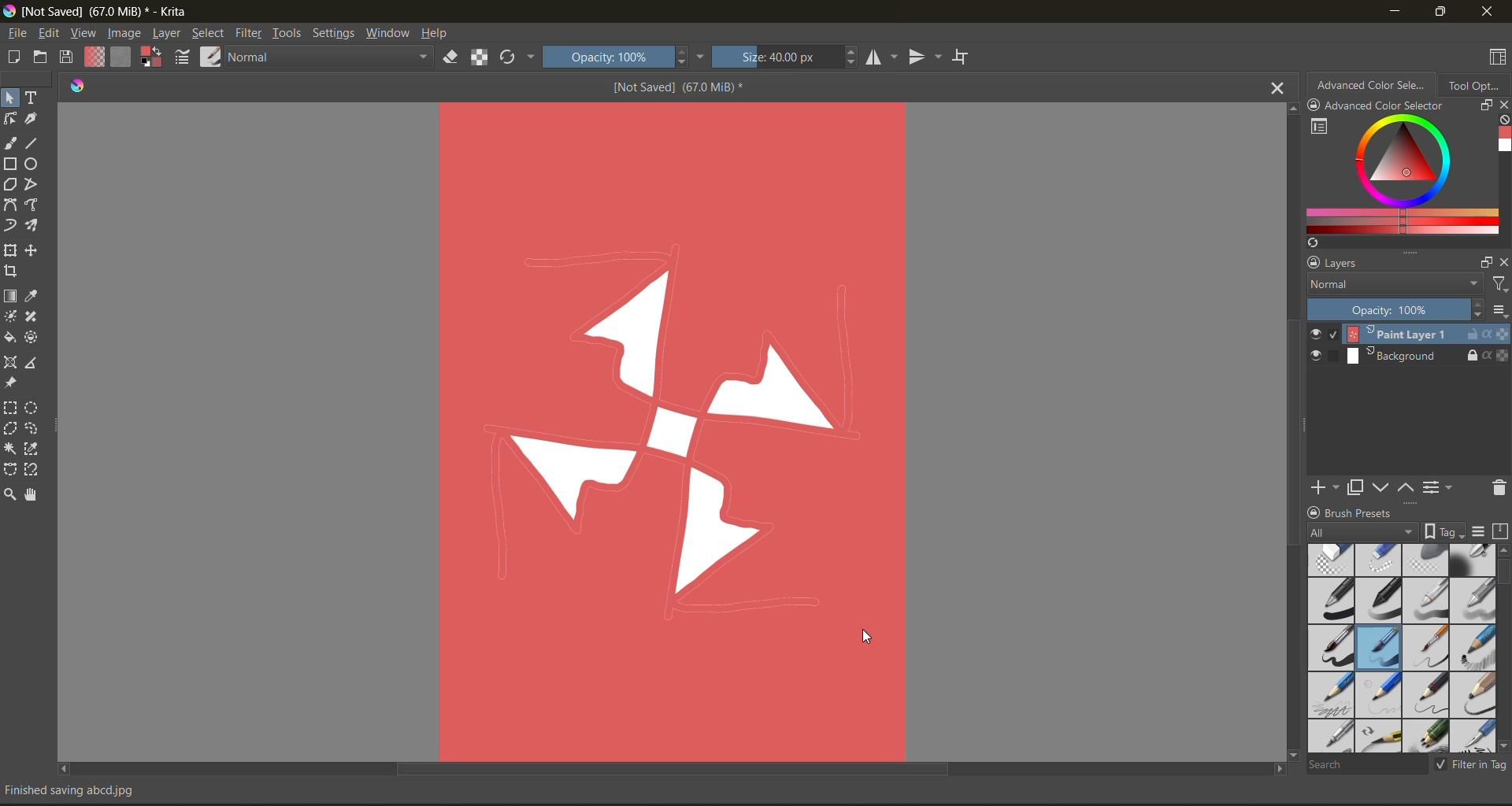  Describe the element at coordinates (69, 55) in the screenshot. I see `save` at that location.